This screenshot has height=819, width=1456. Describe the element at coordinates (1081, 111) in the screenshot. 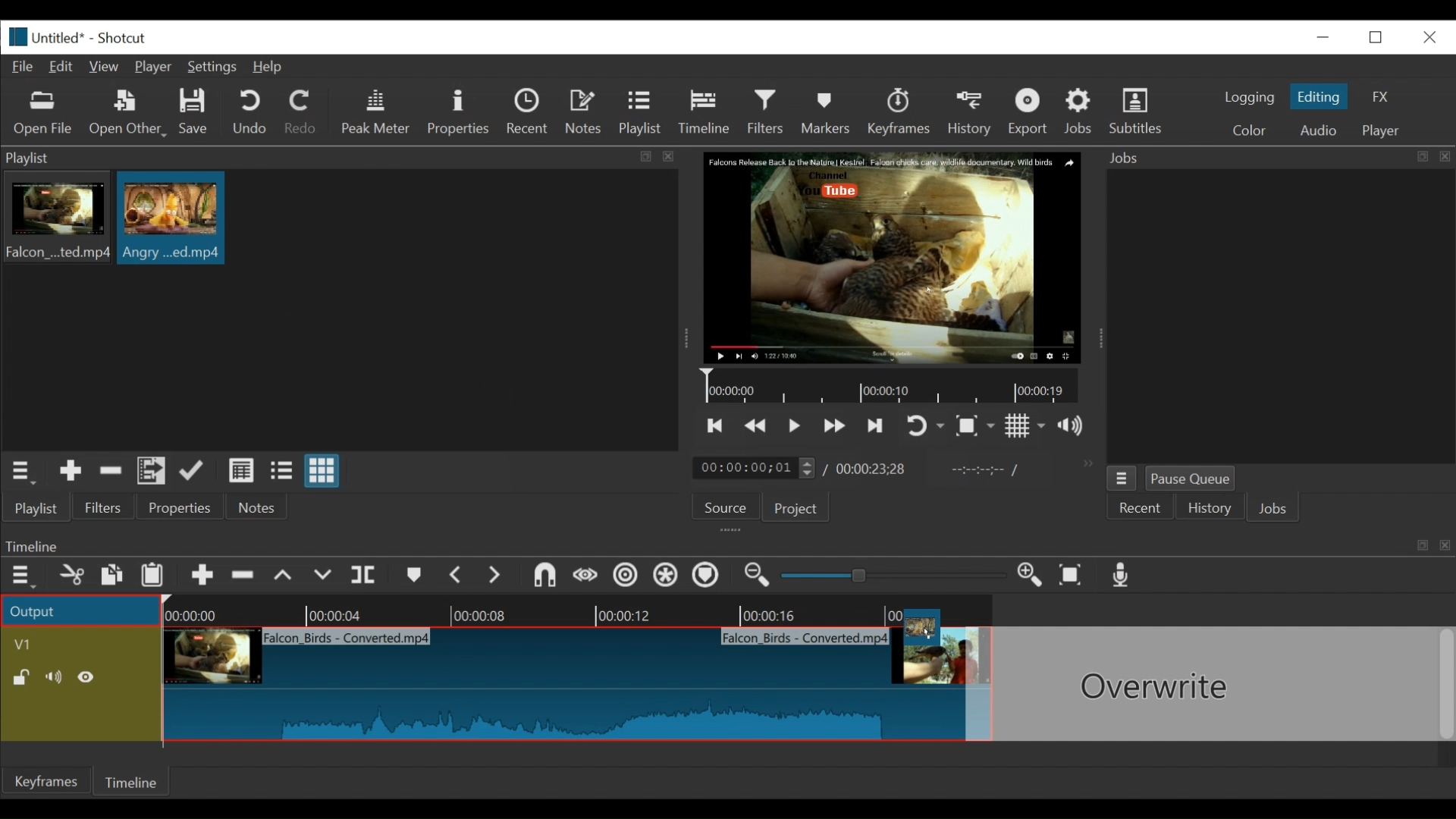

I see `Jobs` at that location.